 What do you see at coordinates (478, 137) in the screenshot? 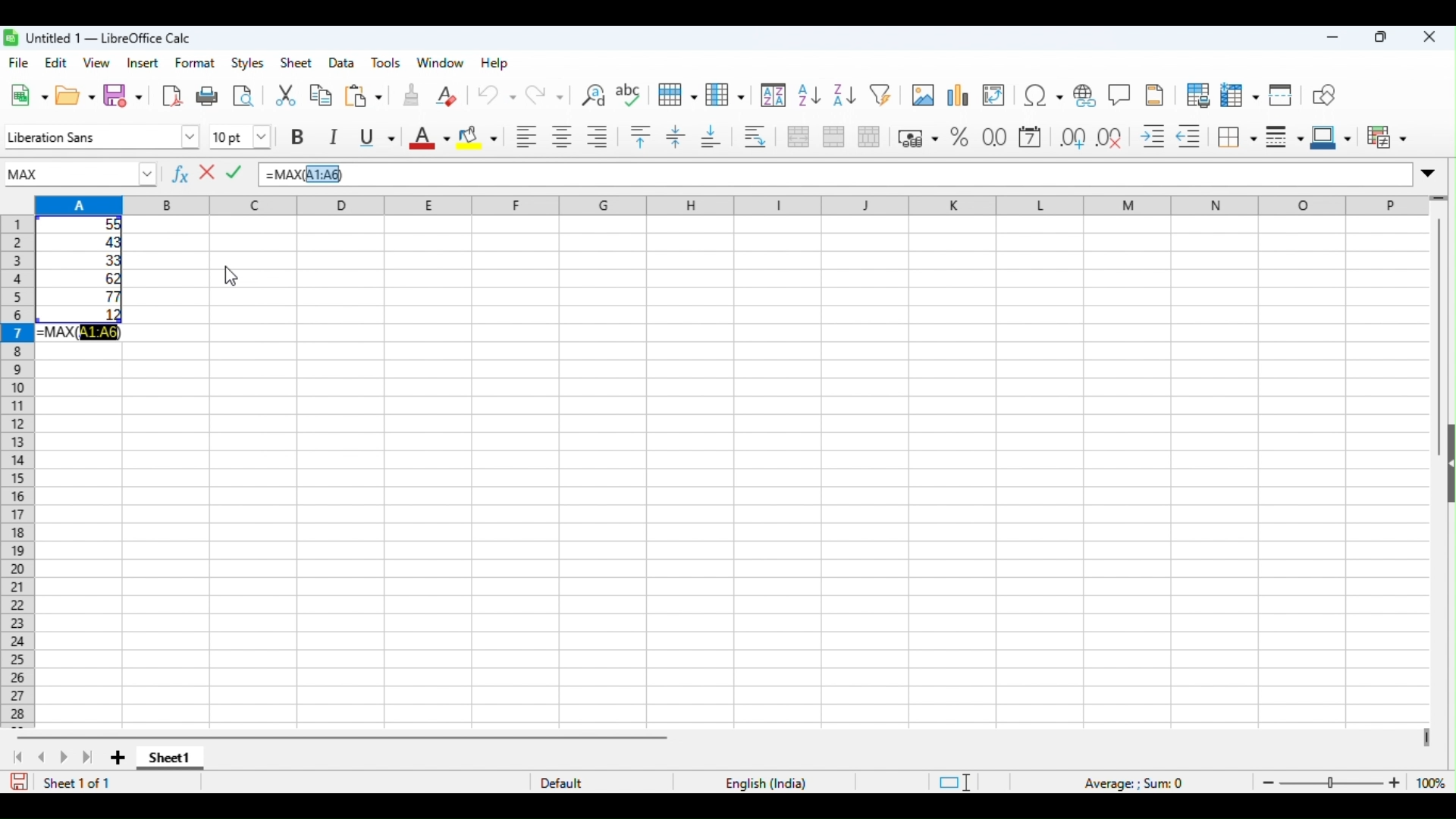
I see `background color` at bounding box center [478, 137].